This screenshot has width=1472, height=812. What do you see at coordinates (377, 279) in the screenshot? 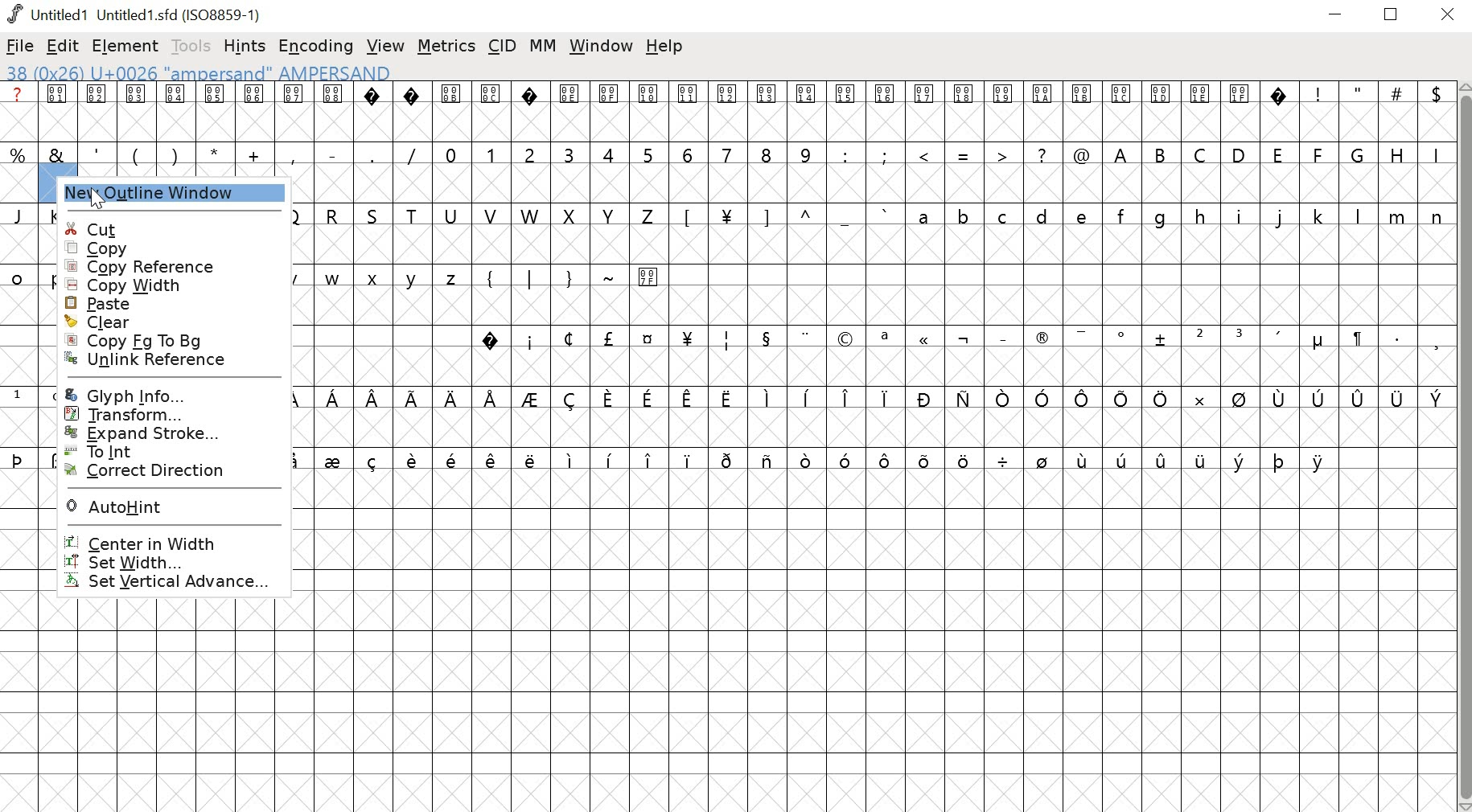
I see `x` at bounding box center [377, 279].